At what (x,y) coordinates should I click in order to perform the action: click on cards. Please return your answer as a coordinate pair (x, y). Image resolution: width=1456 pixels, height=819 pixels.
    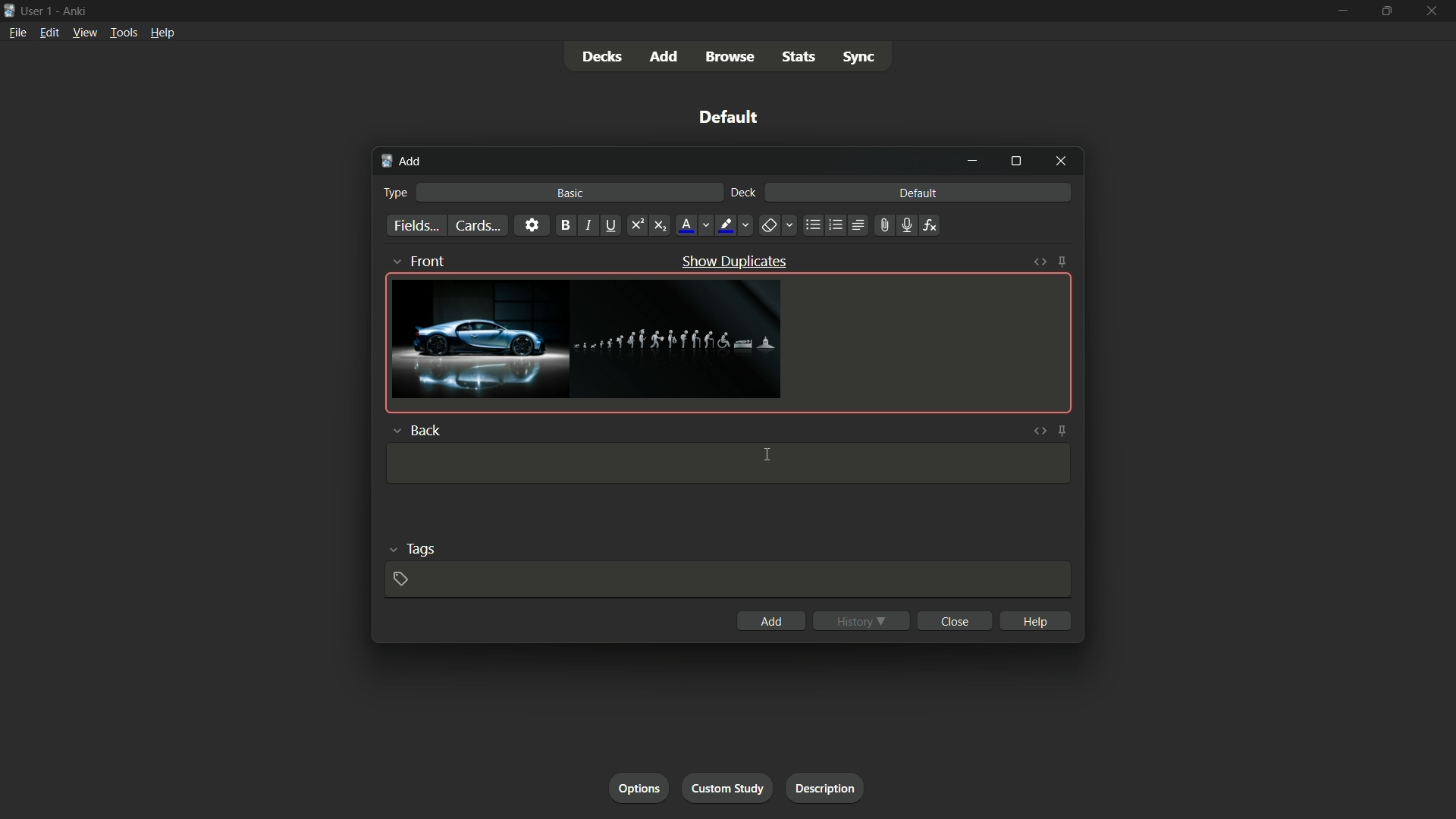
    Looking at the image, I should click on (477, 225).